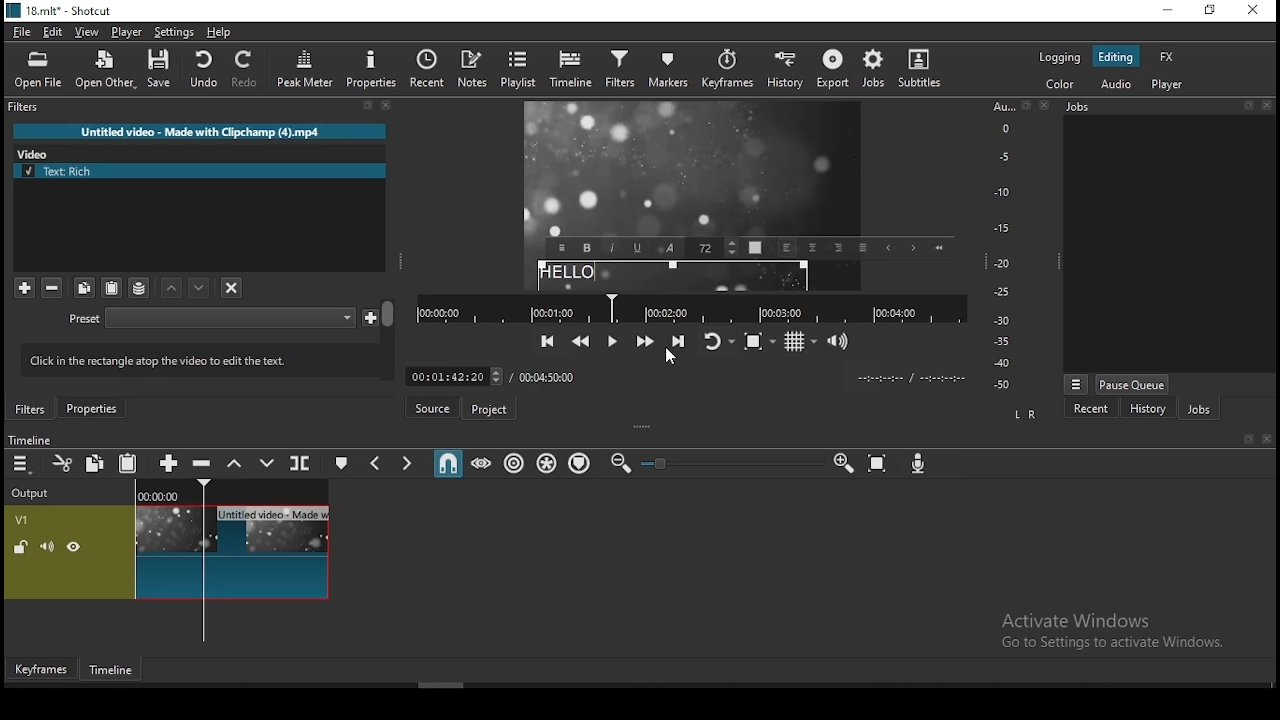  Describe the element at coordinates (34, 490) in the screenshot. I see `Output` at that location.